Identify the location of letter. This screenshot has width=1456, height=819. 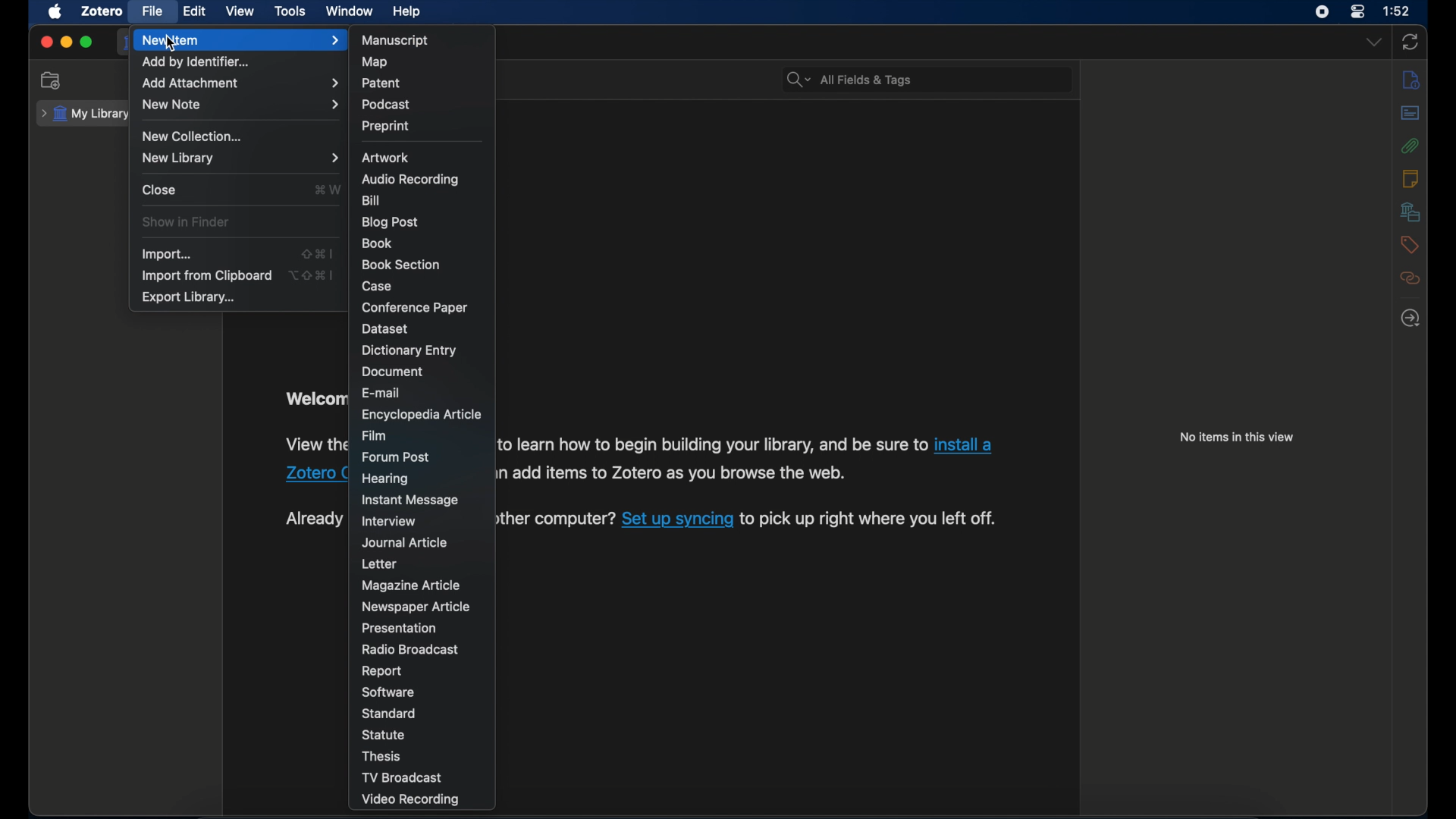
(379, 564).